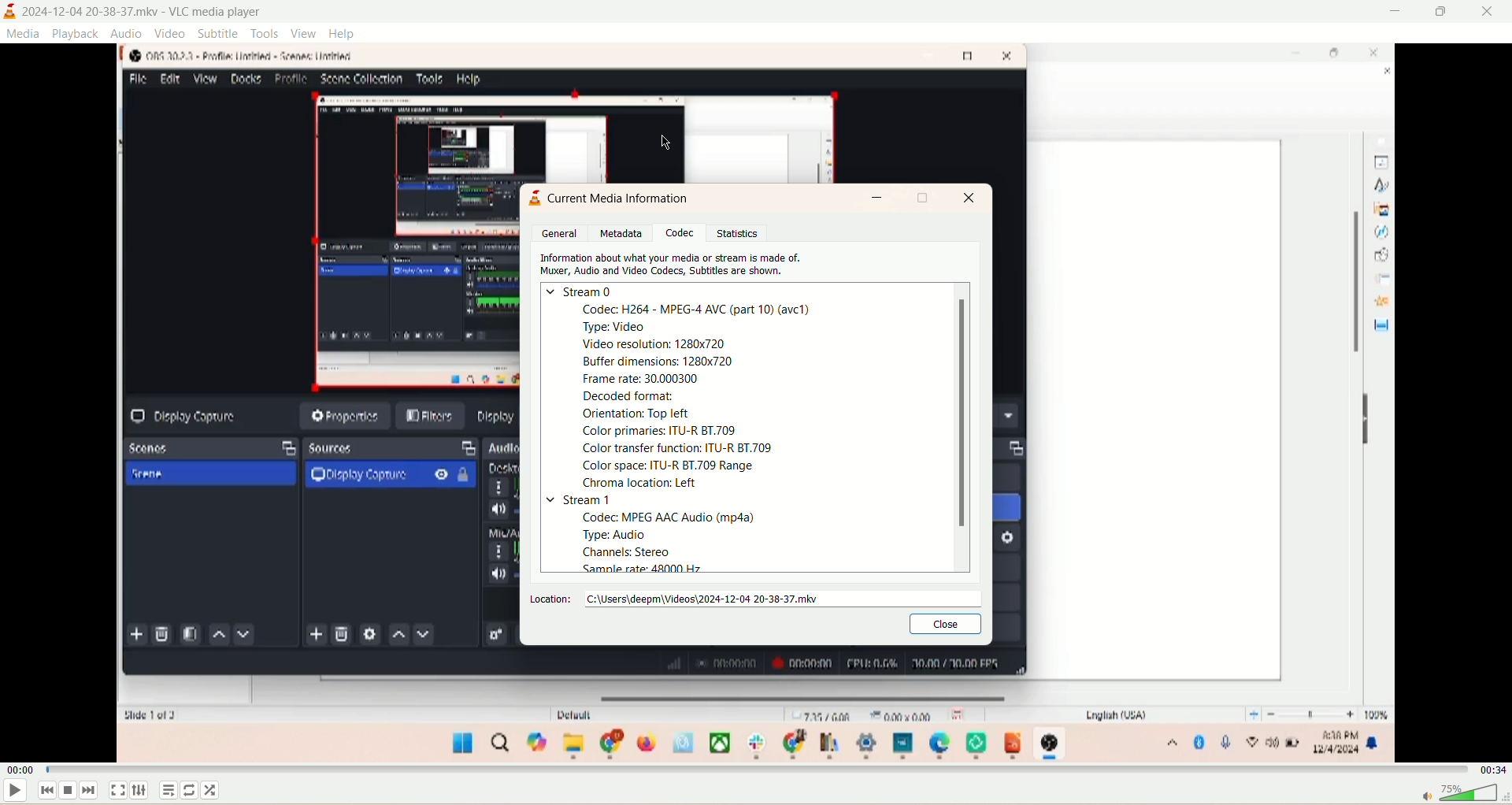 The image size is (1512, 805). Describe the element at coordinates (344, 33) in the screenshot. I see `help` at that location.